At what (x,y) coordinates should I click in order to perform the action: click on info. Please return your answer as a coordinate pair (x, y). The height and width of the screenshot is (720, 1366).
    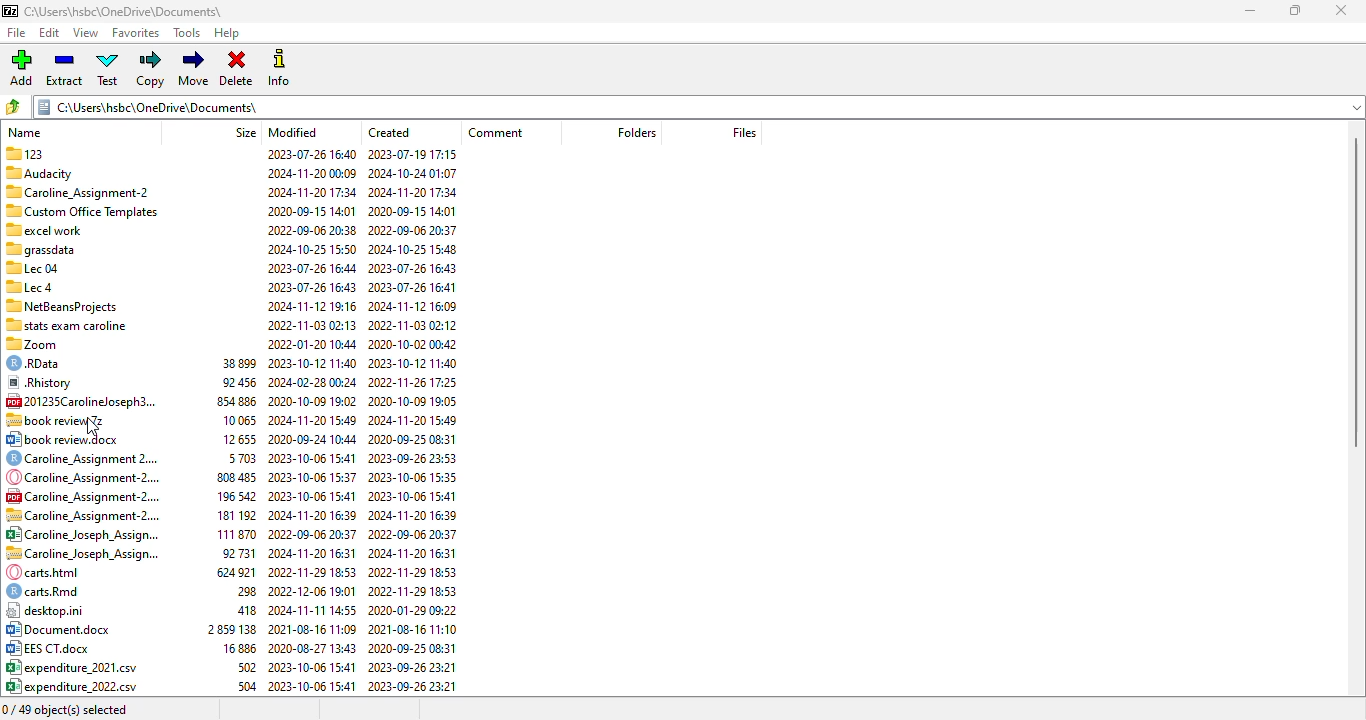
    Looking at the image, I should click on (280, 68).